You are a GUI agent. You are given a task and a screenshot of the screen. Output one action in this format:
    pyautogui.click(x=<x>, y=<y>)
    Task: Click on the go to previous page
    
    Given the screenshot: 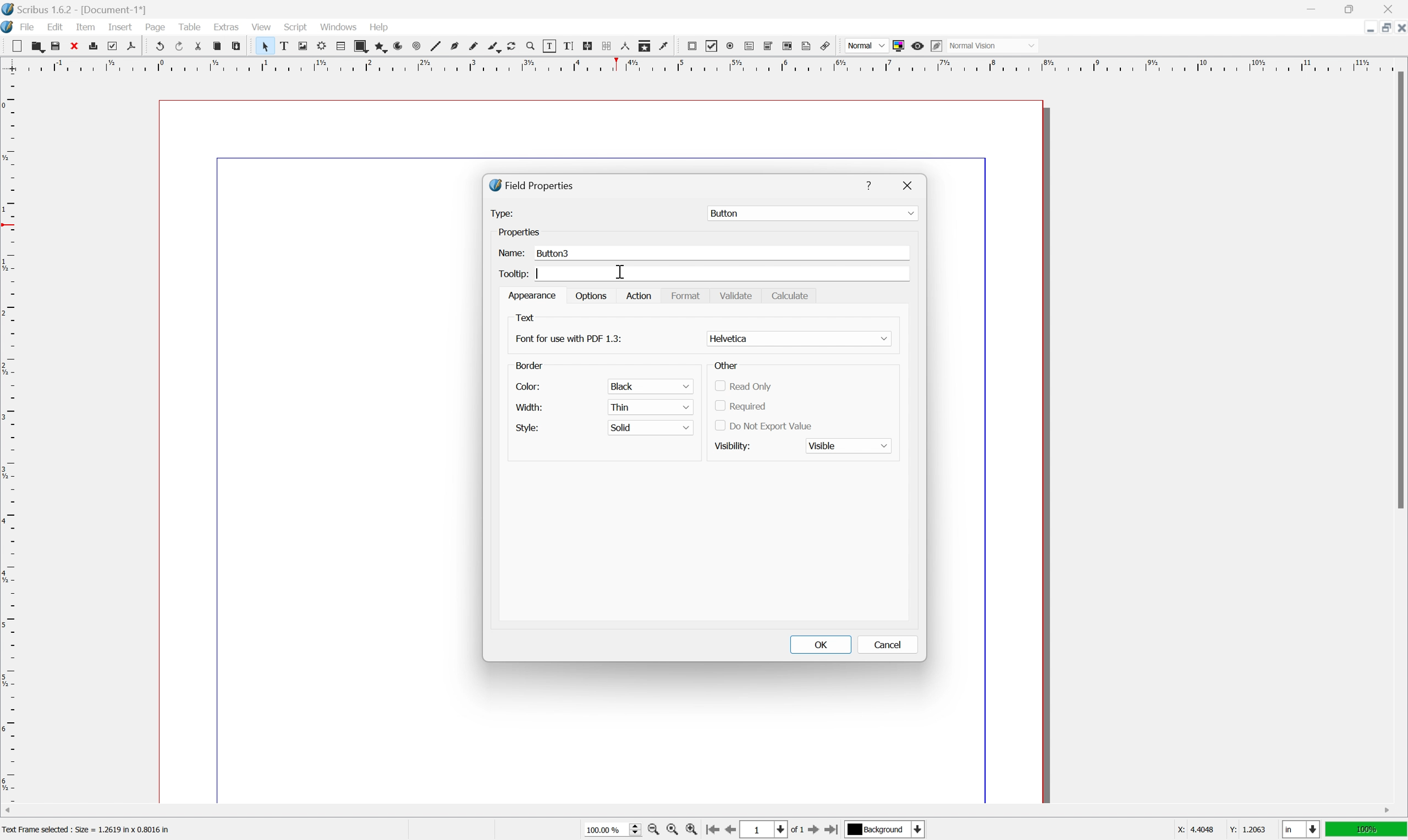 What is the action you would take?
    pyautogui.click(x=730, y=832)
    